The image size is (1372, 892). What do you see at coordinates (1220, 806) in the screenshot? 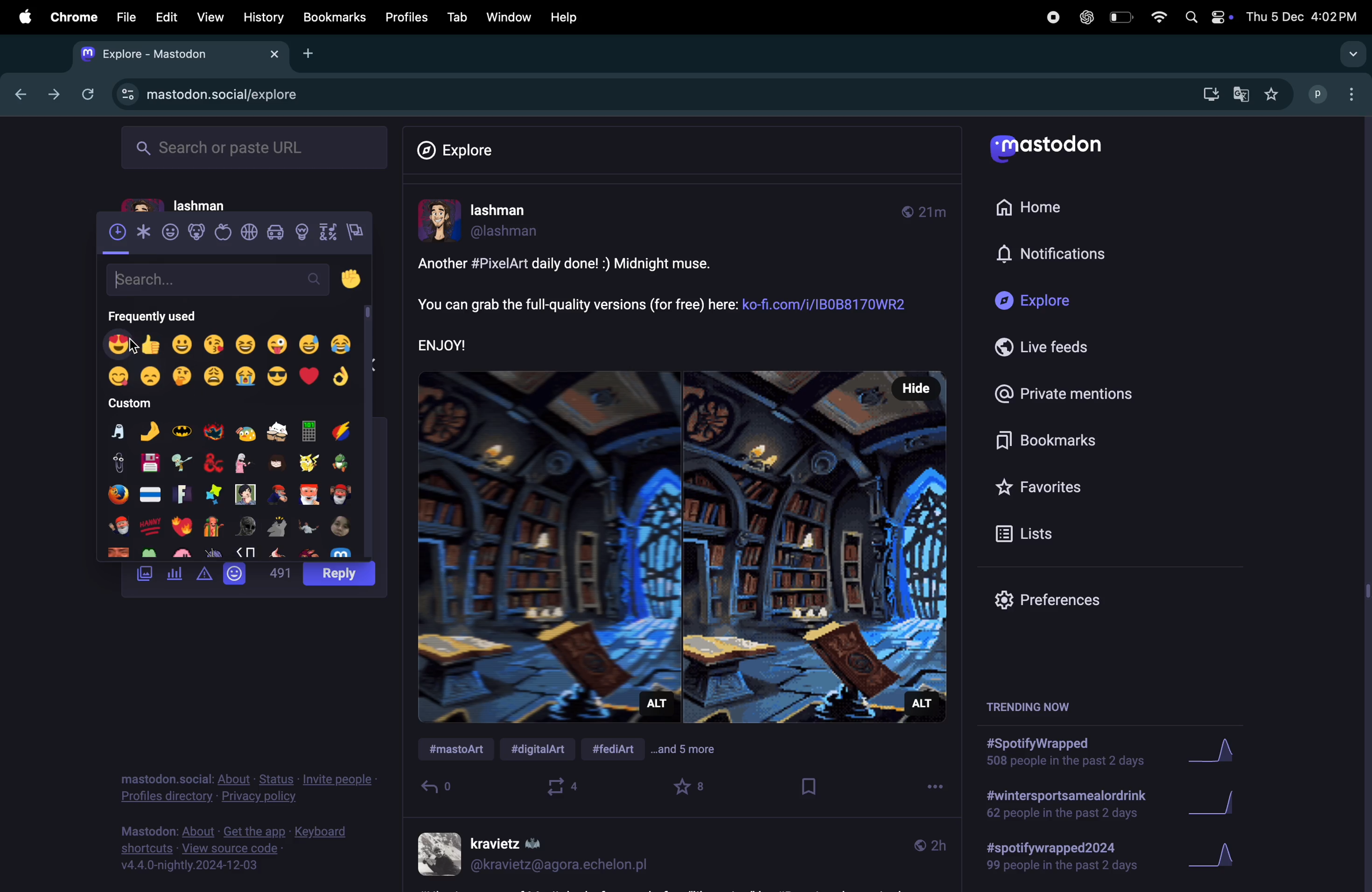
I see `Graph` at bounding box center [1220, 806].